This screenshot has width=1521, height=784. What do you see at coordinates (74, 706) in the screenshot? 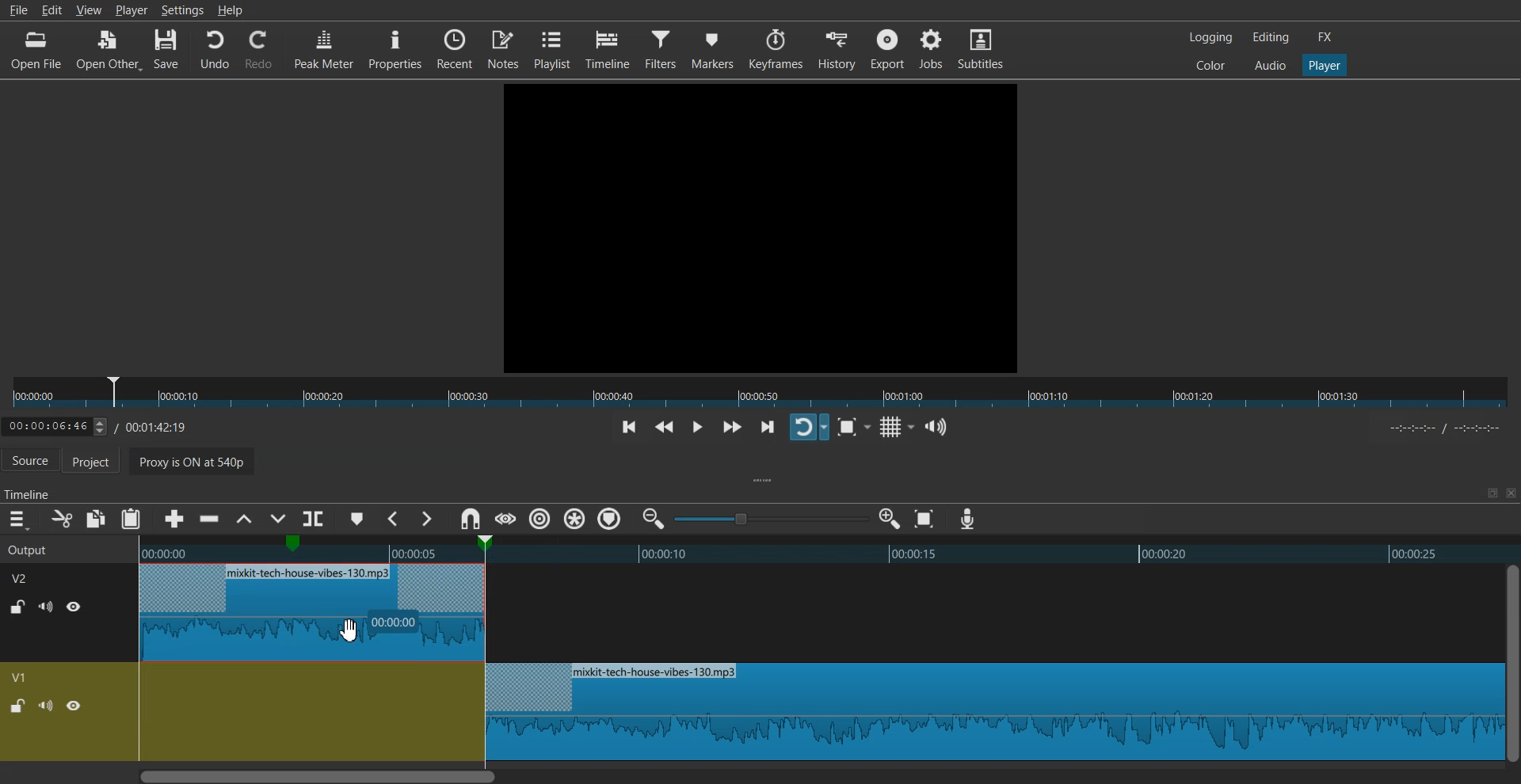
I see `Hide` at bounding box center [74, 706].